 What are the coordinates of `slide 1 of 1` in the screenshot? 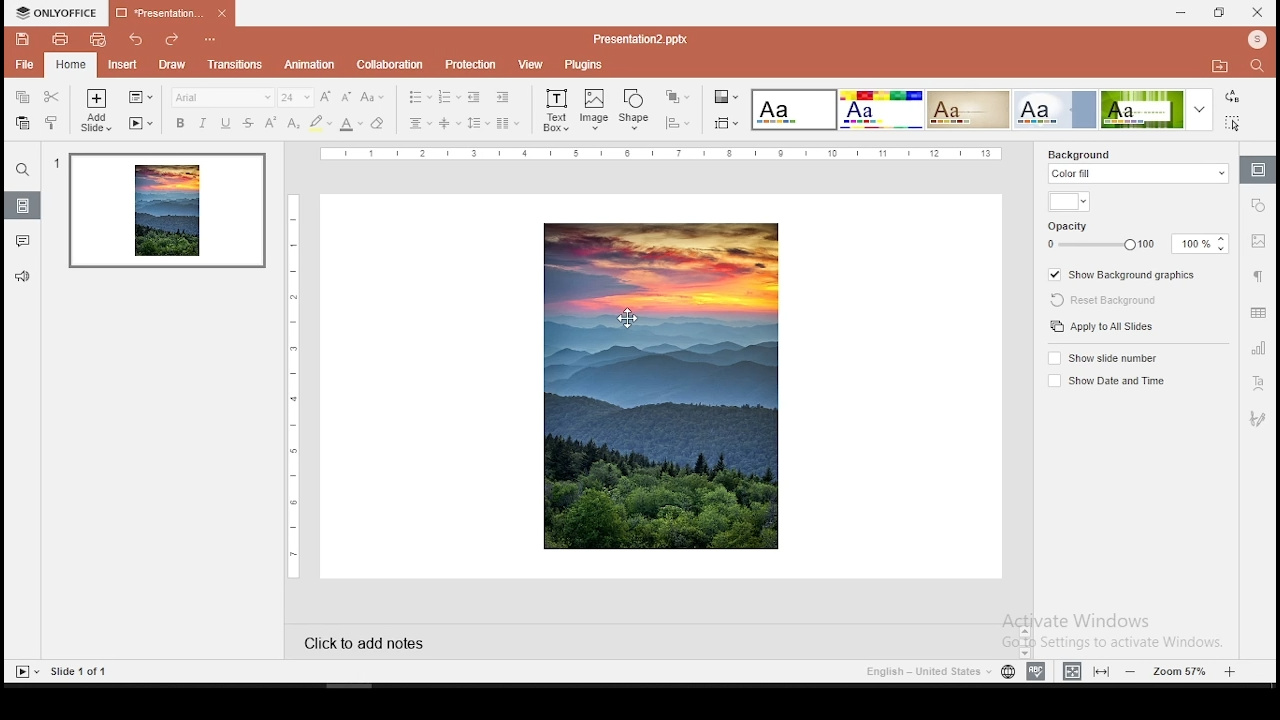 It's located at (86, 671).